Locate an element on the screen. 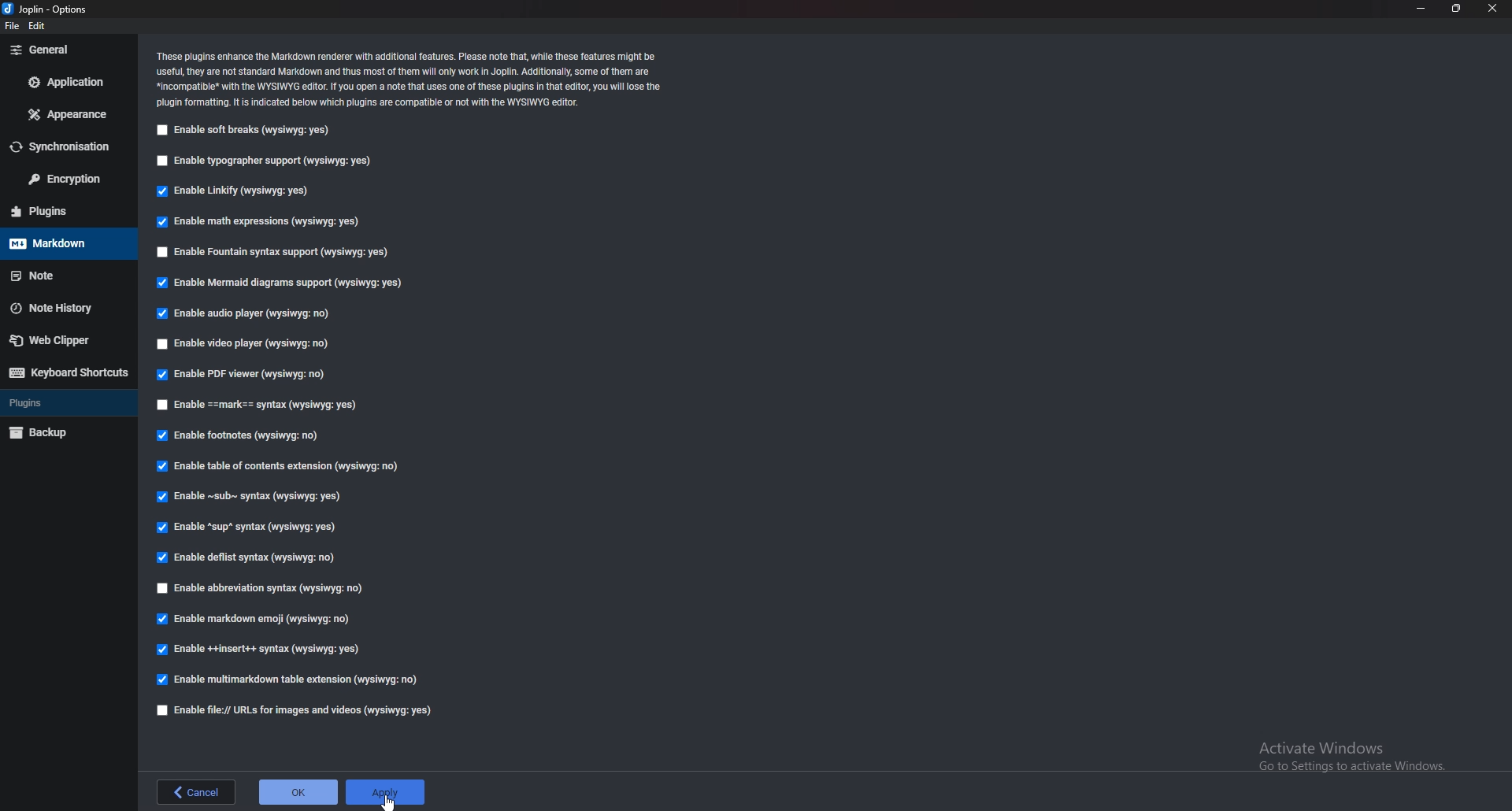  Synchronization is located at coordinates (66, 148).